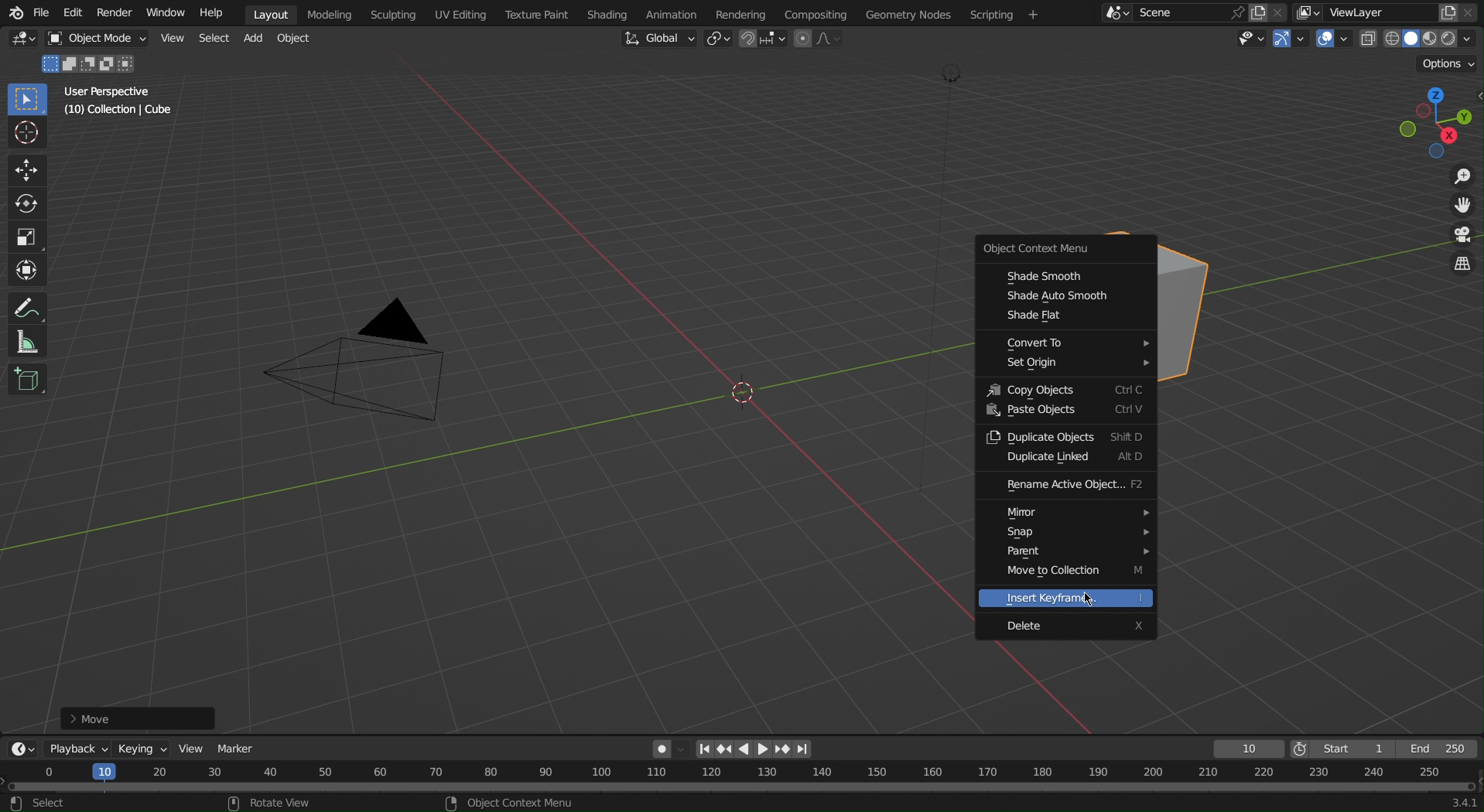  I want to click on Shade Smooth, so click(1062, 277).